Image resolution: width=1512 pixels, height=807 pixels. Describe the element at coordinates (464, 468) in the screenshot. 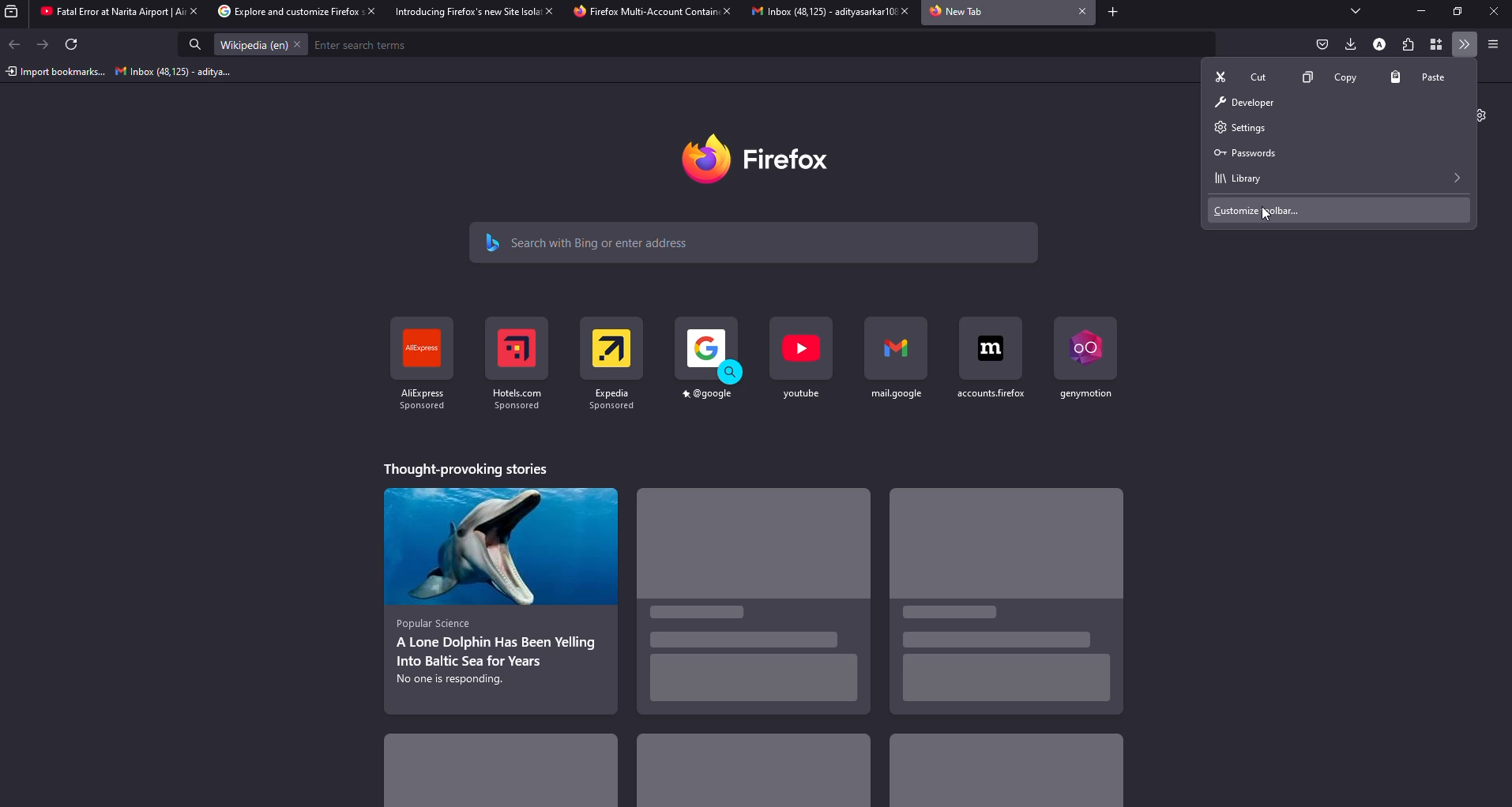

I see `stories` at that location.